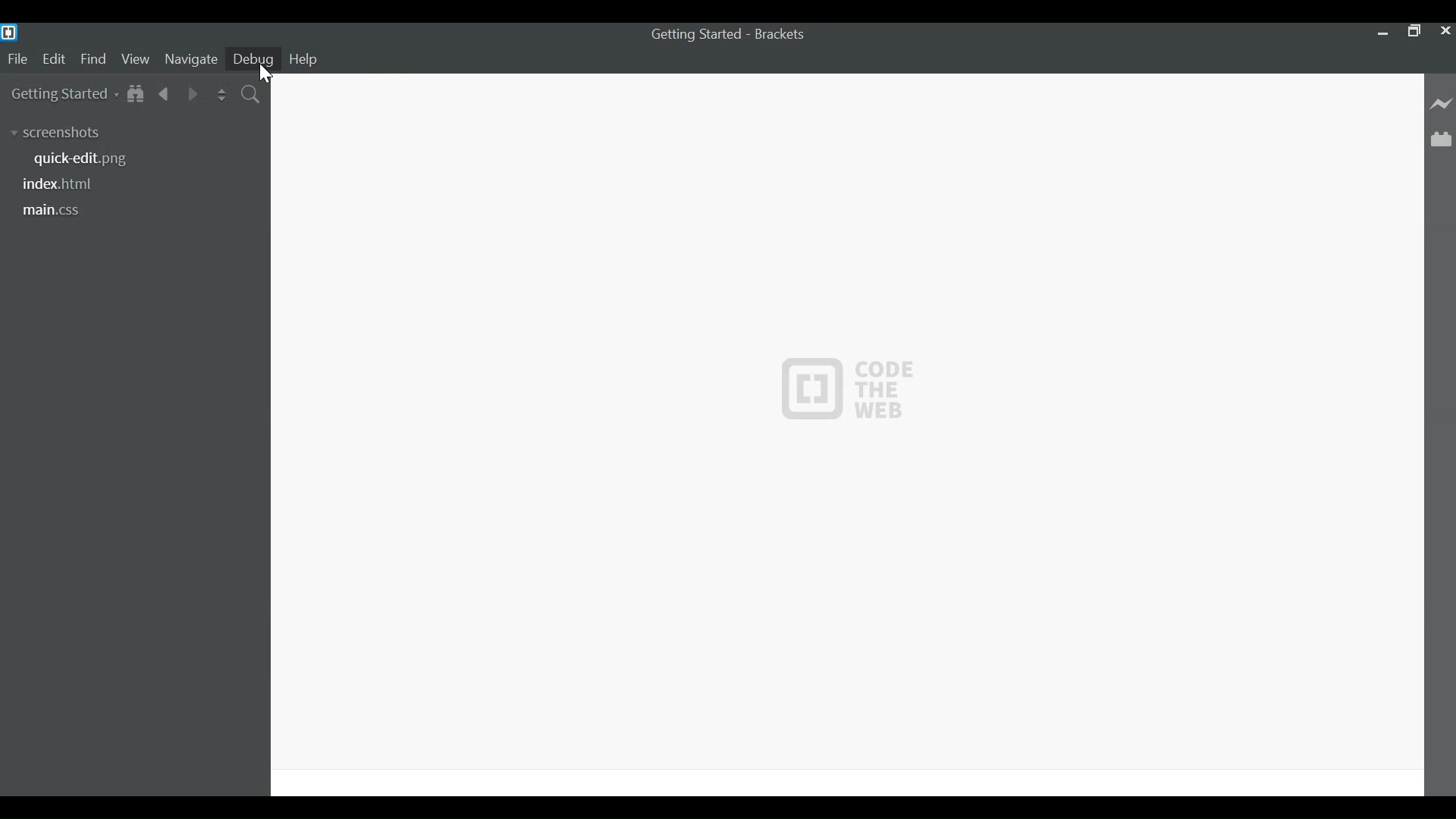 The width and height of the screenshot is (1456, 819). I want to click on quickedit.png, so click(89, 159).